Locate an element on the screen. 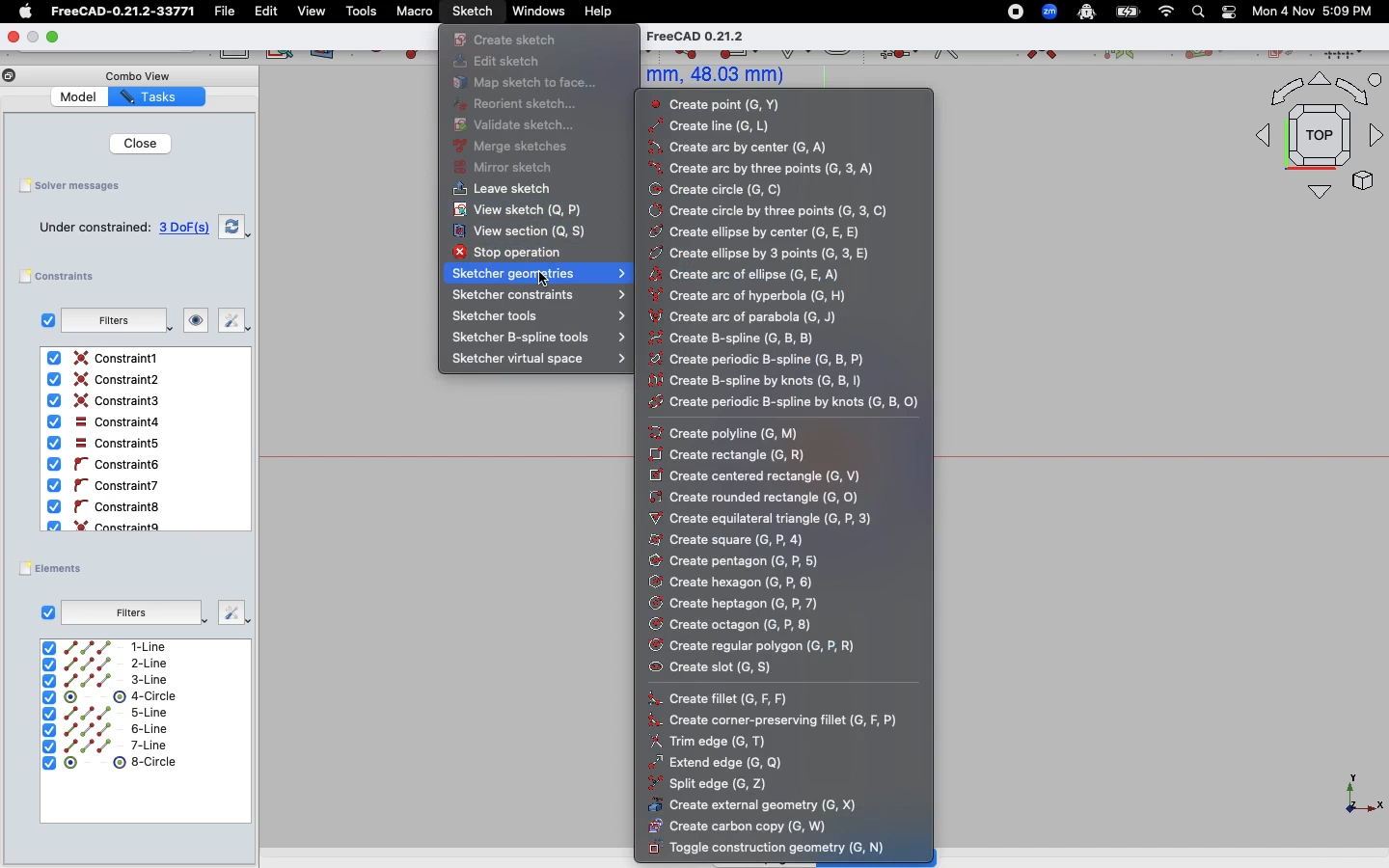 The height and width of the screenshot is (868, 1389). Create elipse by center (G, E, E) is located at coordinates (765, 231).